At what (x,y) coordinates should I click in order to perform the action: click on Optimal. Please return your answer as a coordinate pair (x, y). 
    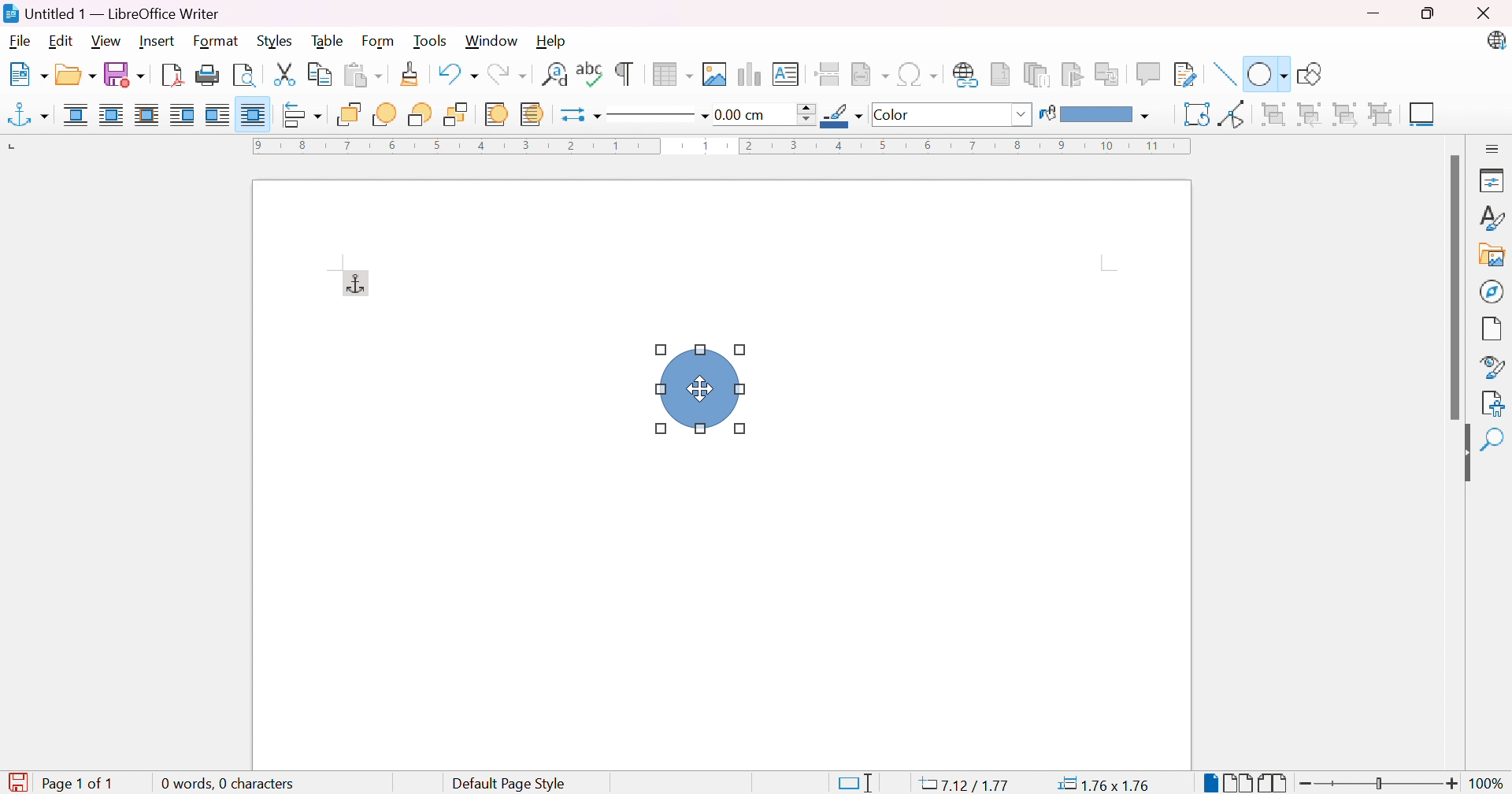
    Looking at the image, I should click on (146, 113).